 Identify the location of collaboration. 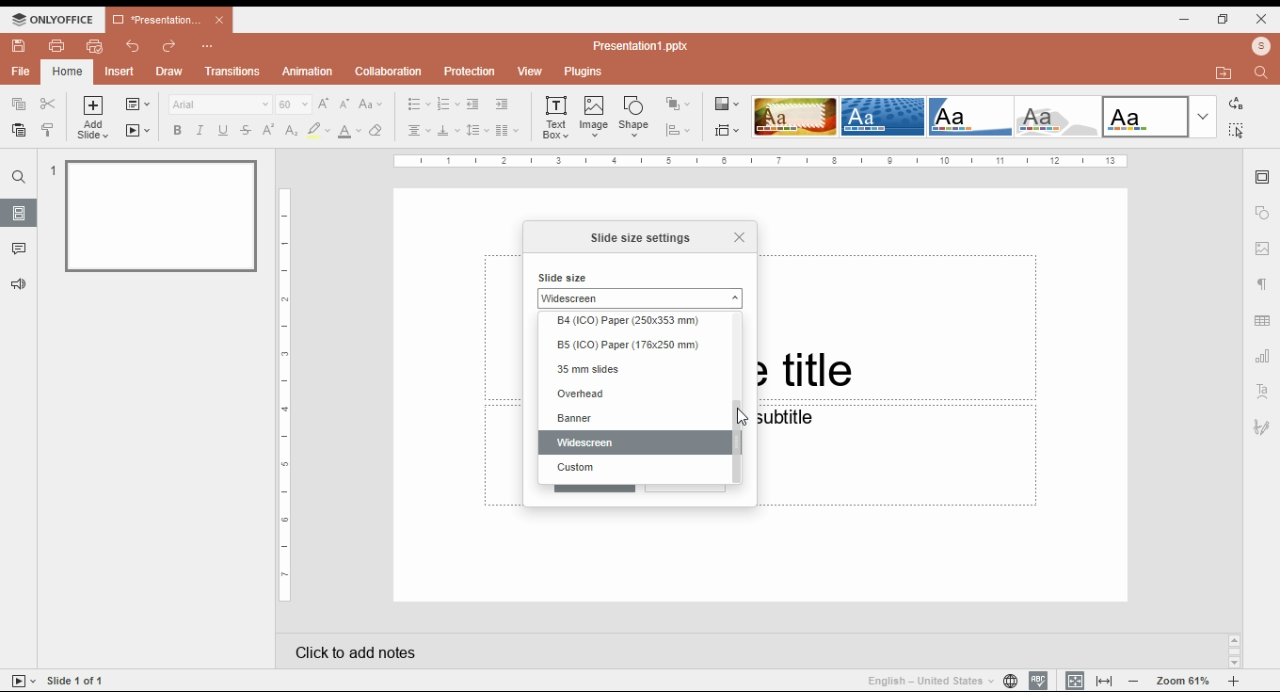
(388, 71).